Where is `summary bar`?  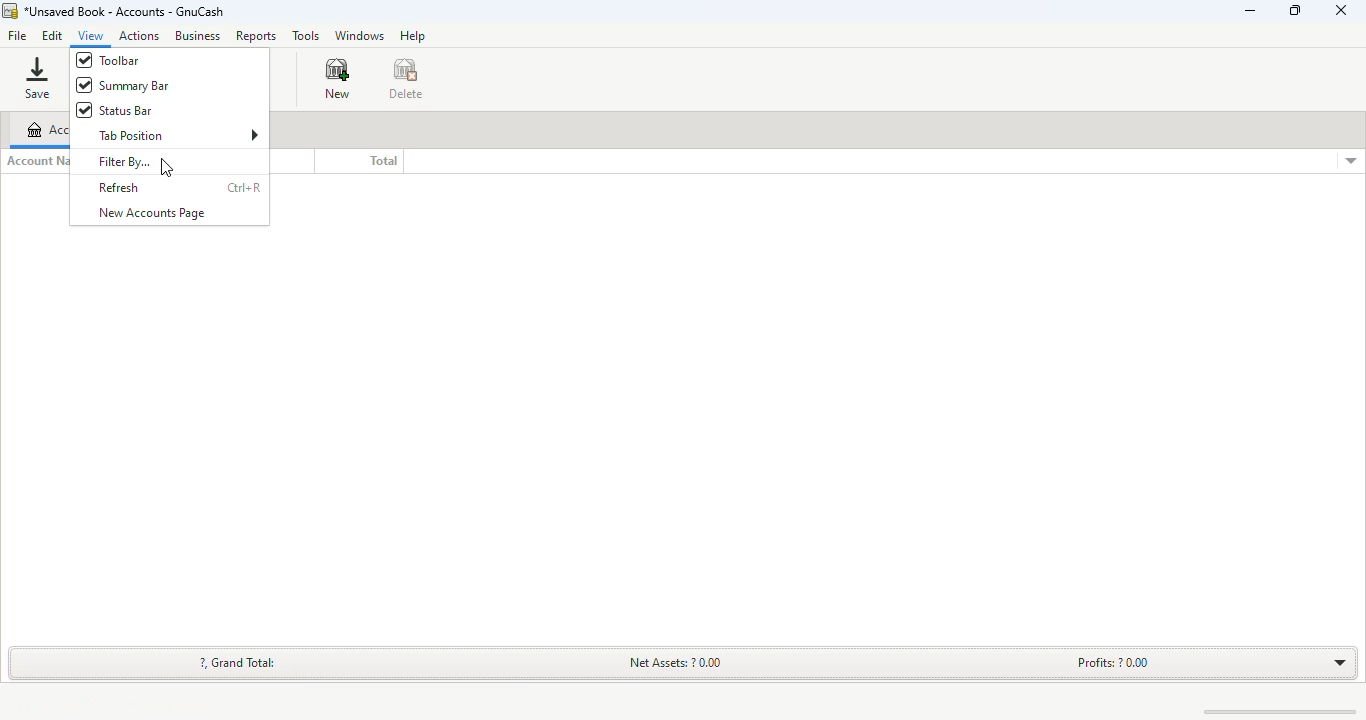
summary bar is located at coordinates (126, 86).